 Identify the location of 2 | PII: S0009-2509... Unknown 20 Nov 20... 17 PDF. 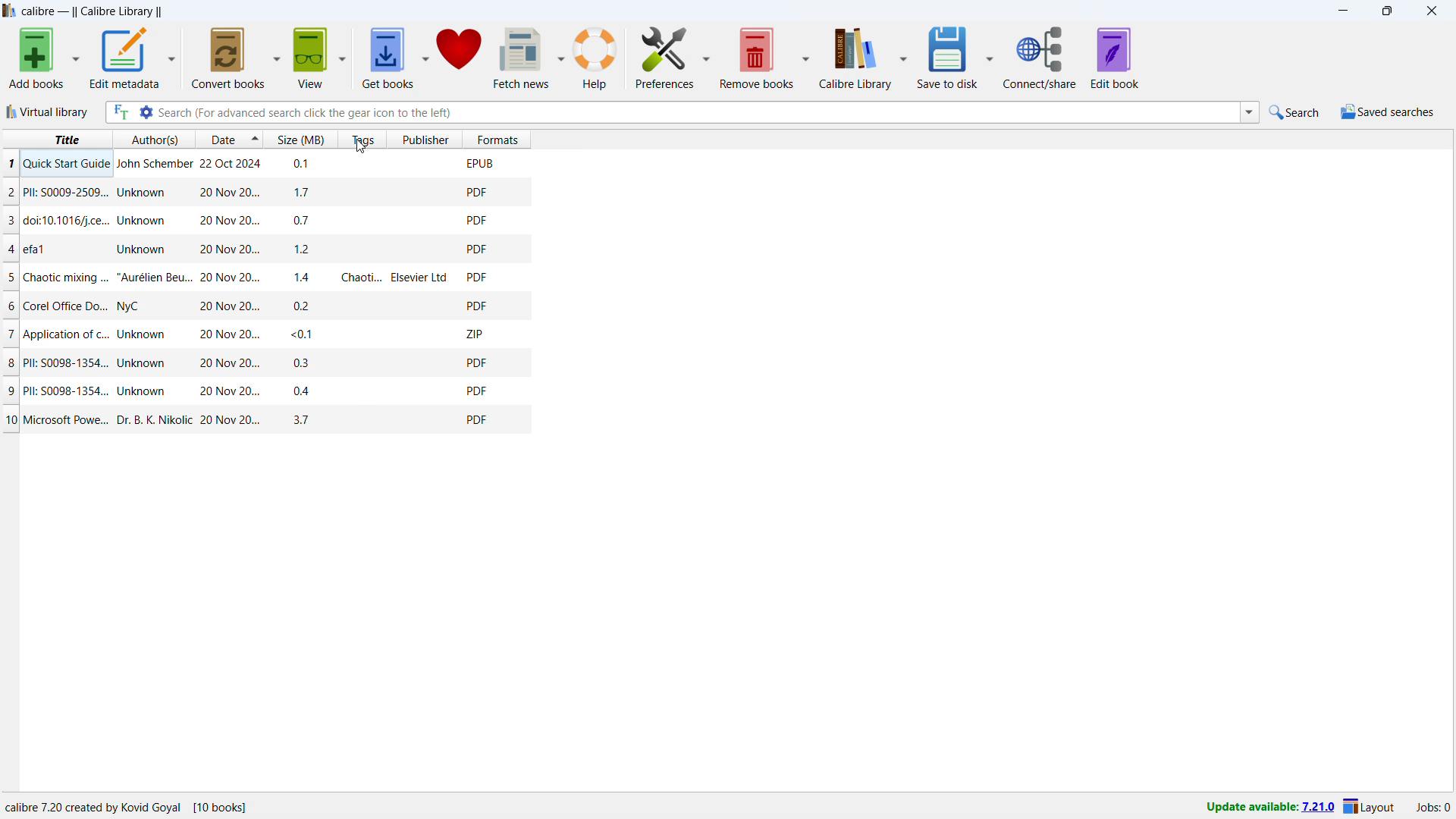
(264, 193).